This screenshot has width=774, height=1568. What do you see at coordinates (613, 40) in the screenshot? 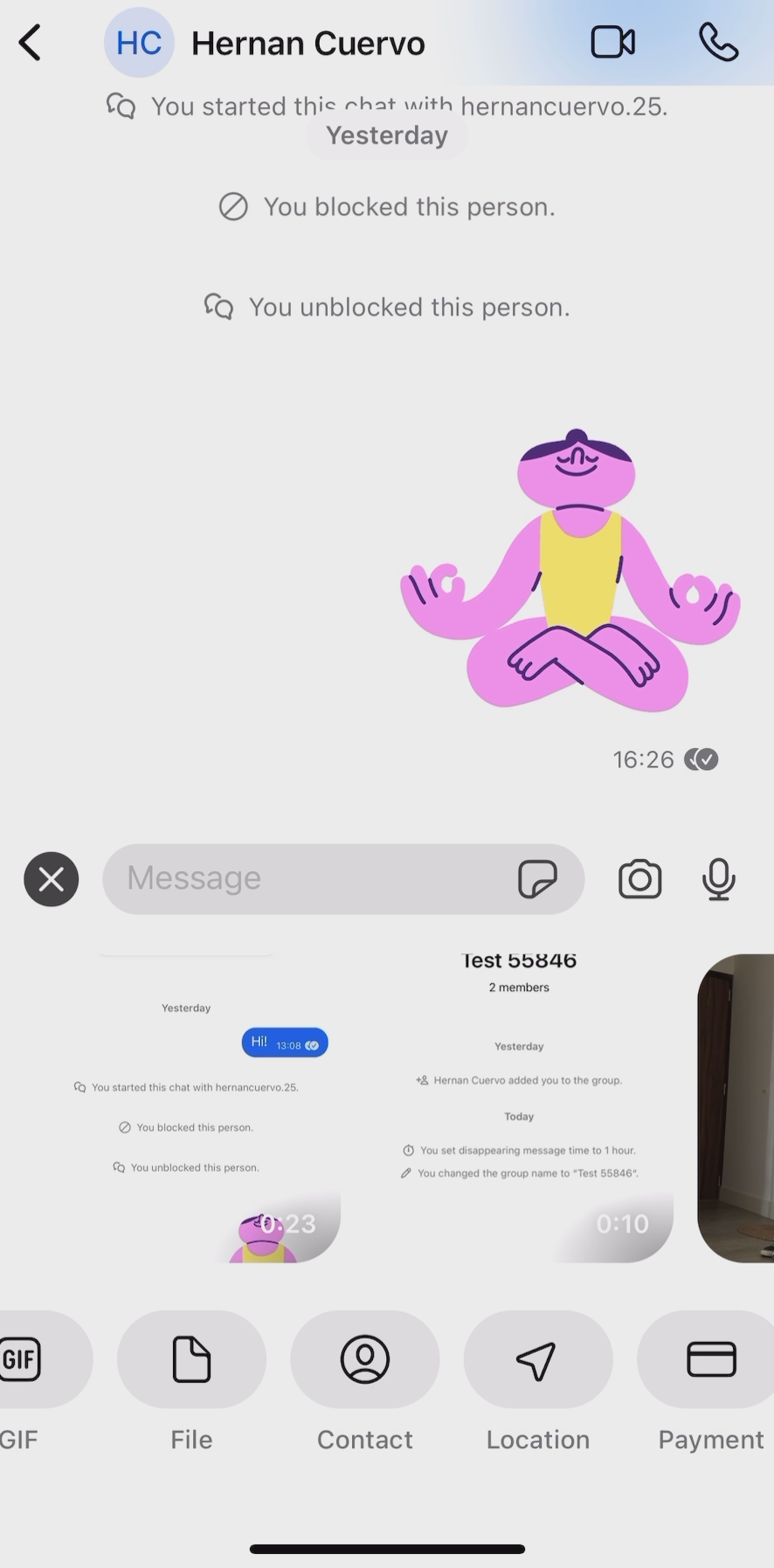
I see `videocall` at bounding box center [613, 40].